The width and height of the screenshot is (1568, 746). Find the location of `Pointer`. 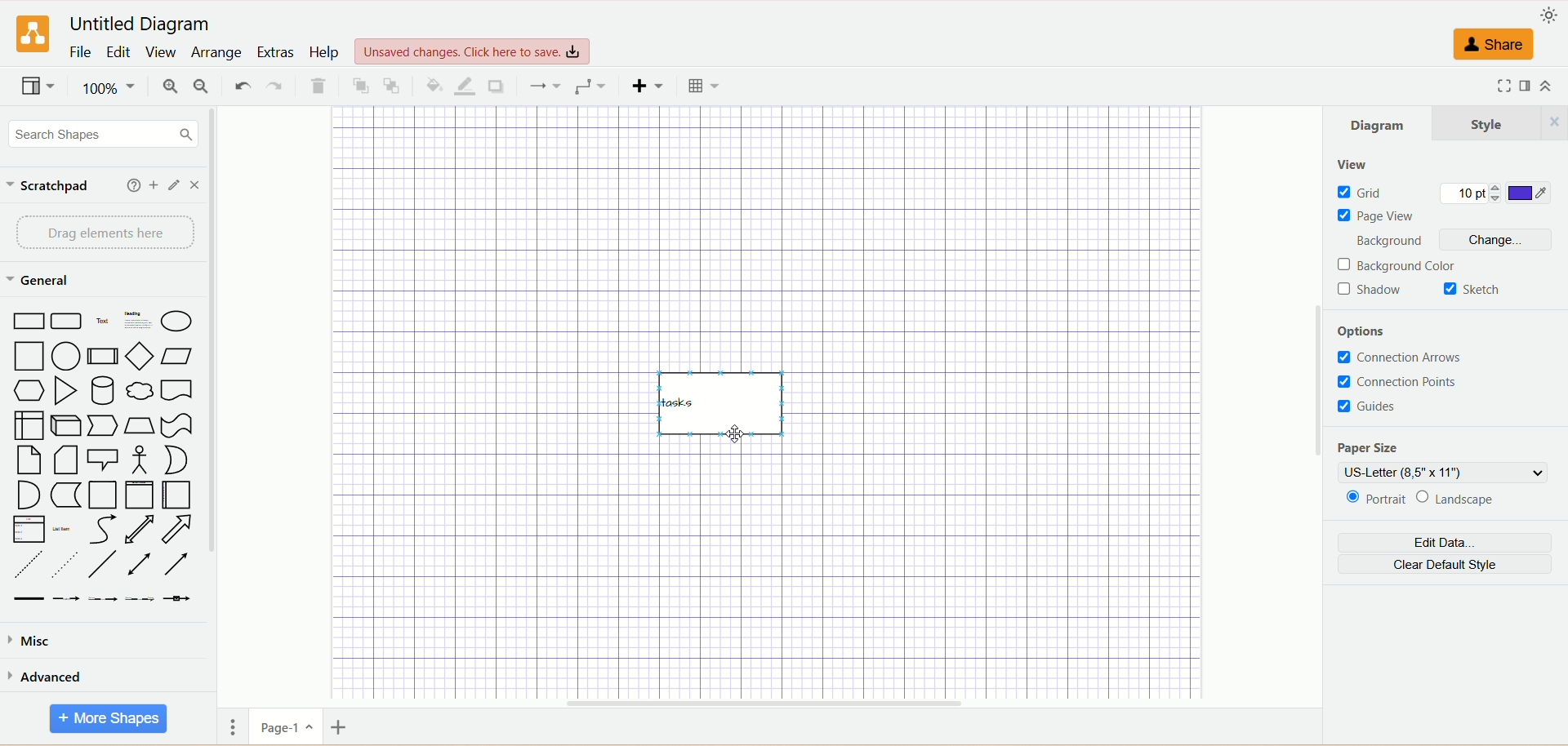

Pointer is located at coordinates (105, 427).